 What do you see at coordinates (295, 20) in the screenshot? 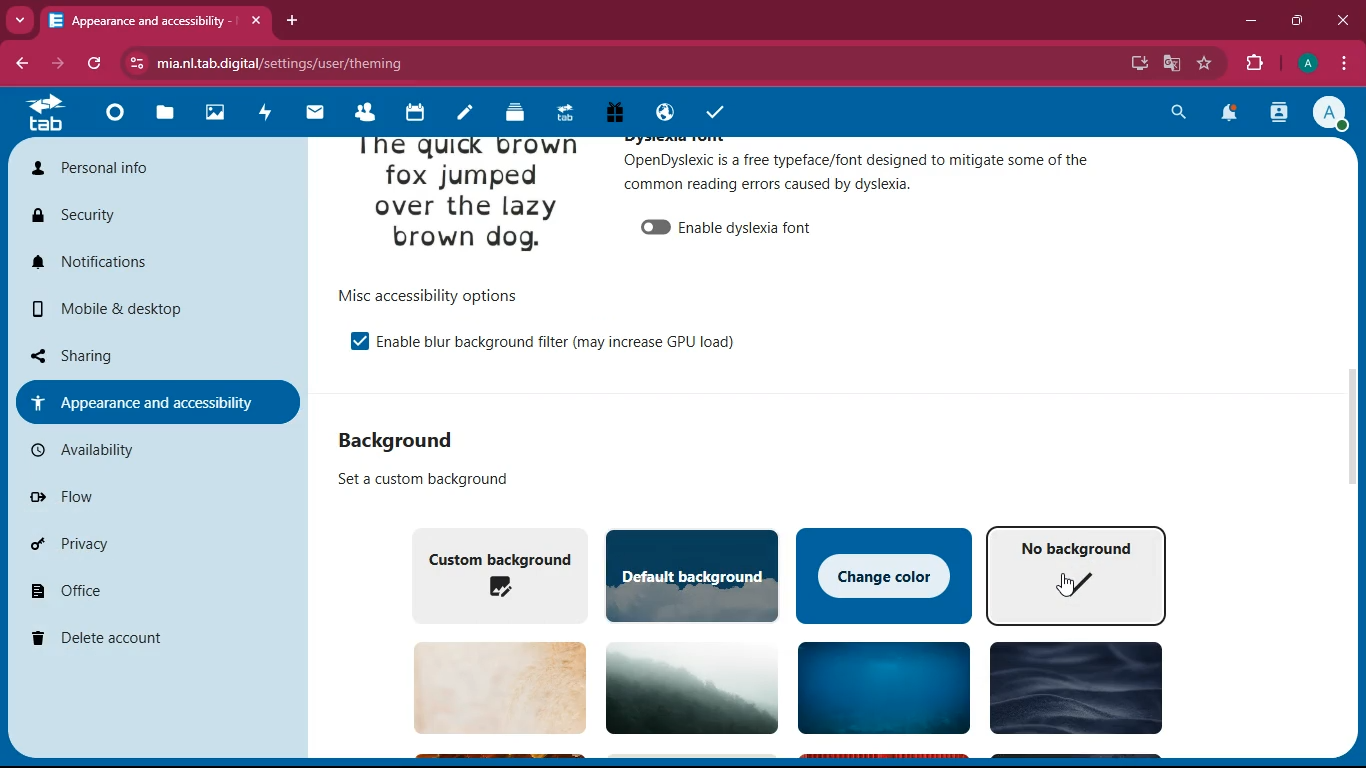
I see `add tab` at bounding box center [295, 20].